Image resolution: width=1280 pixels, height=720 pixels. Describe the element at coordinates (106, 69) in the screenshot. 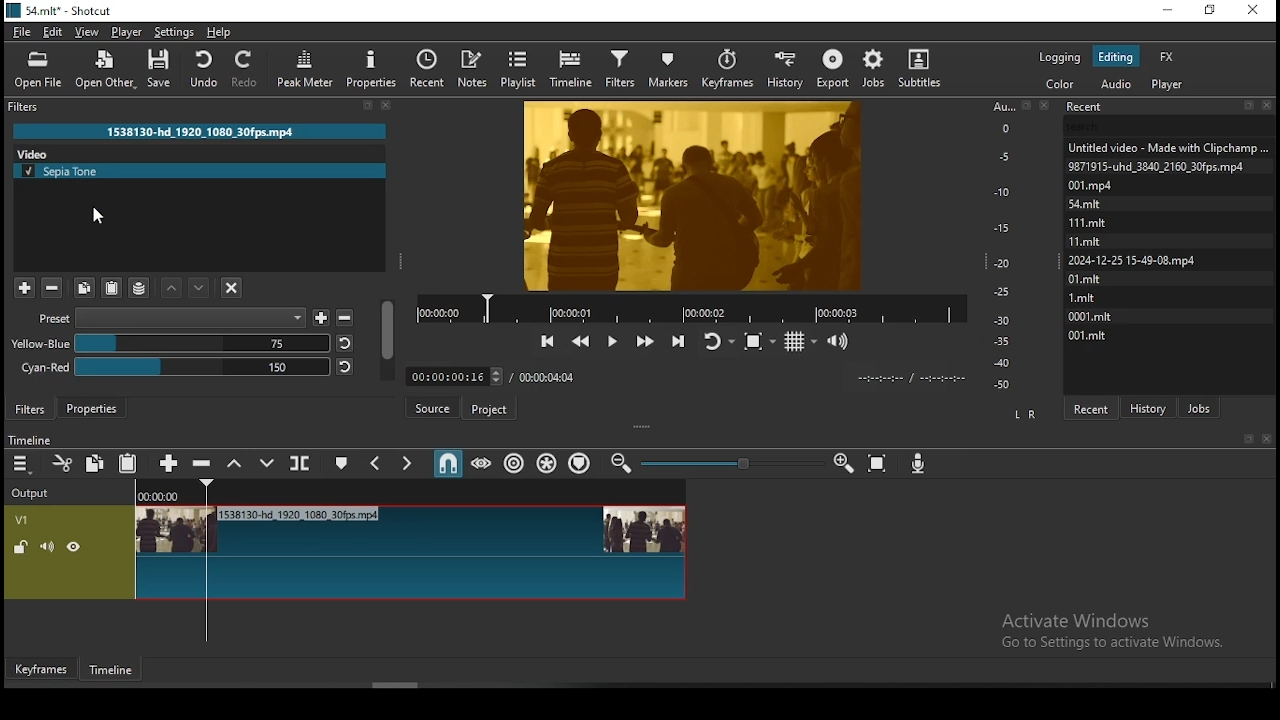

I see `open other` at that location.